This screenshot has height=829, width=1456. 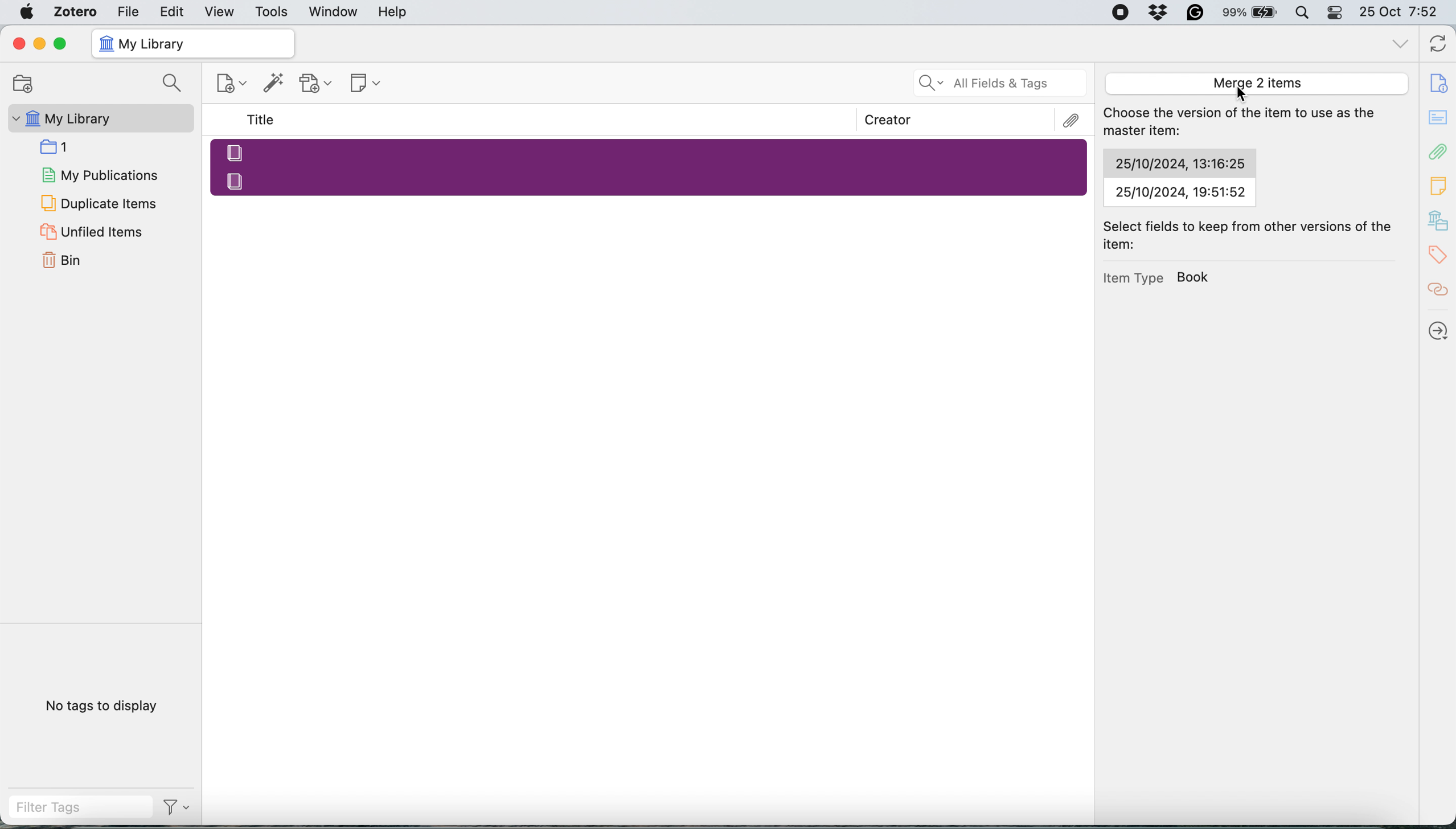 I want to click on Duplicate Items, so click(x=97, y=202).